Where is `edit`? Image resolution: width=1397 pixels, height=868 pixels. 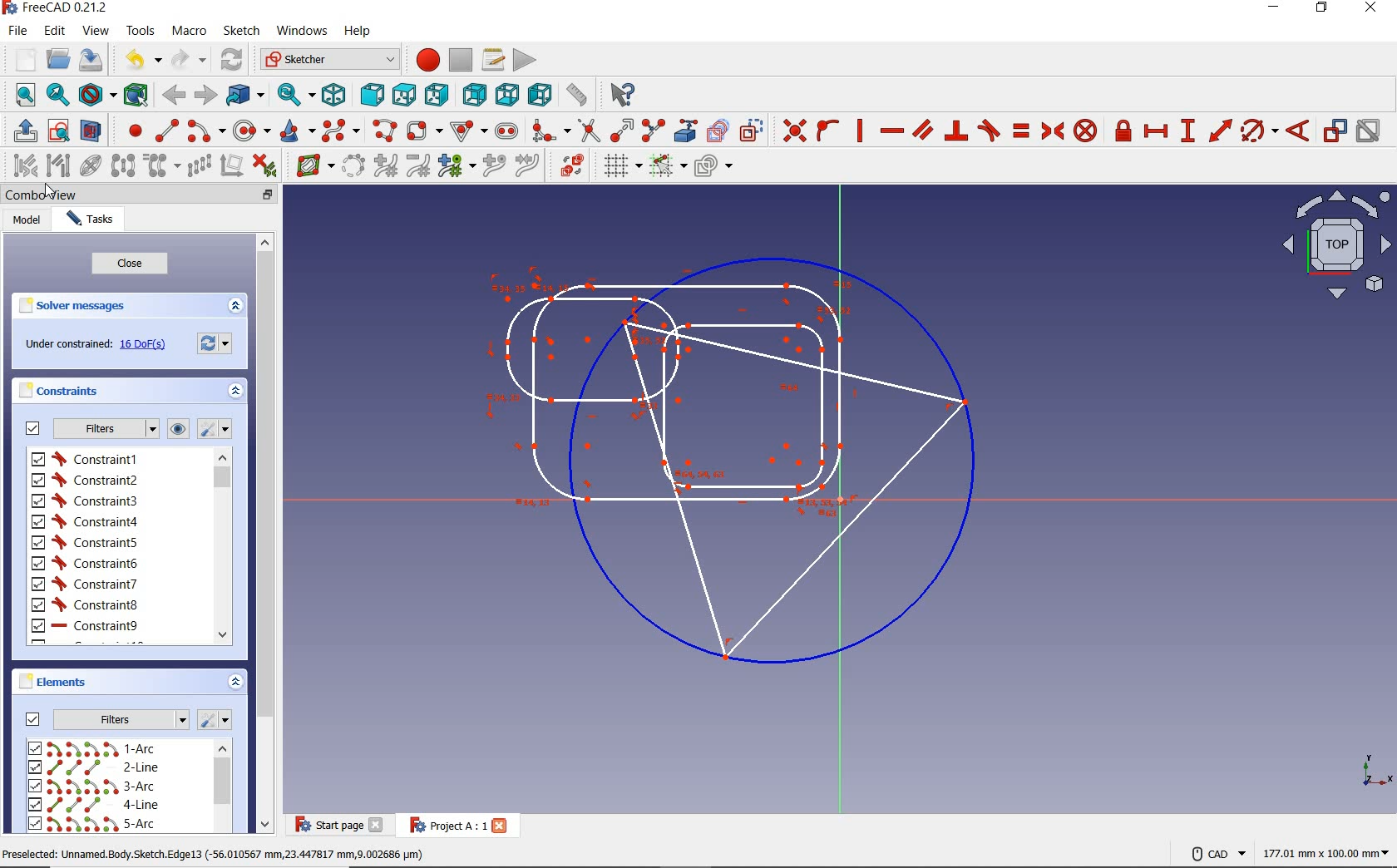 edit is located at coordinates (53, 32).